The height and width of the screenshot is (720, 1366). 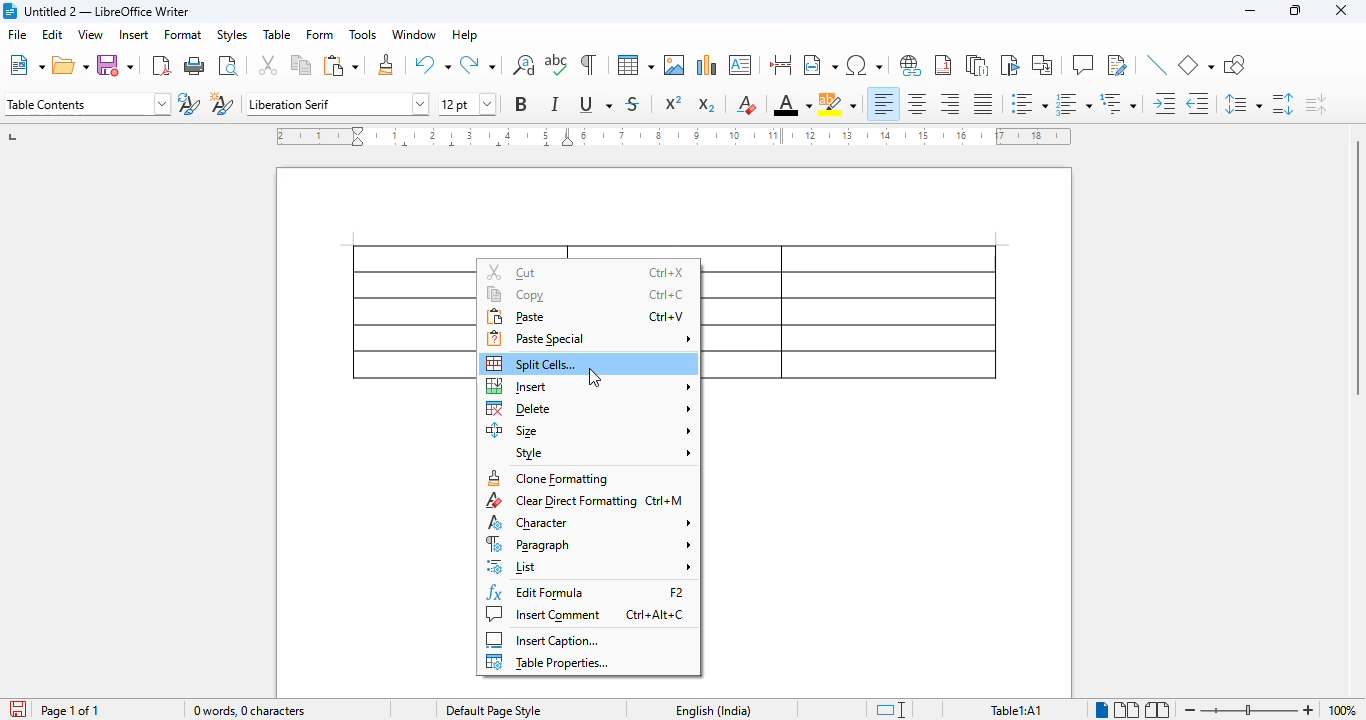 I want to click on edit formula, so click(x=538, y=592).